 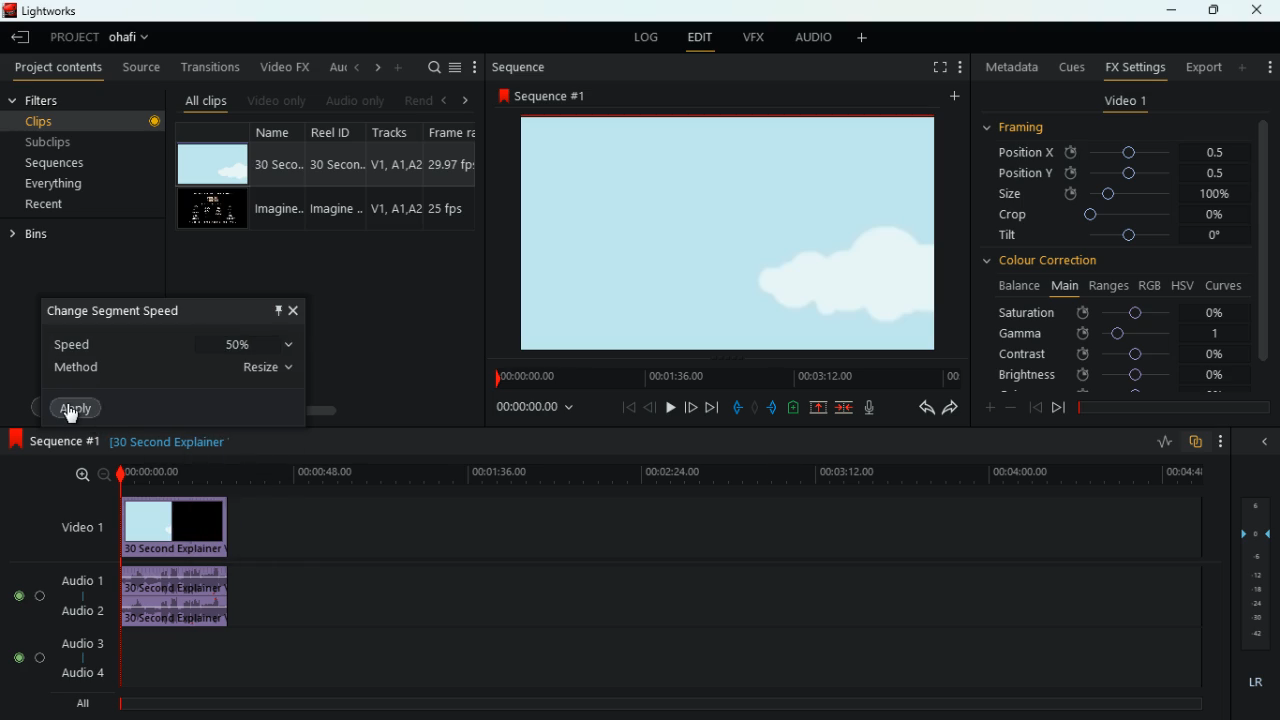 I want to click on fps, so click(x=450, y=176).